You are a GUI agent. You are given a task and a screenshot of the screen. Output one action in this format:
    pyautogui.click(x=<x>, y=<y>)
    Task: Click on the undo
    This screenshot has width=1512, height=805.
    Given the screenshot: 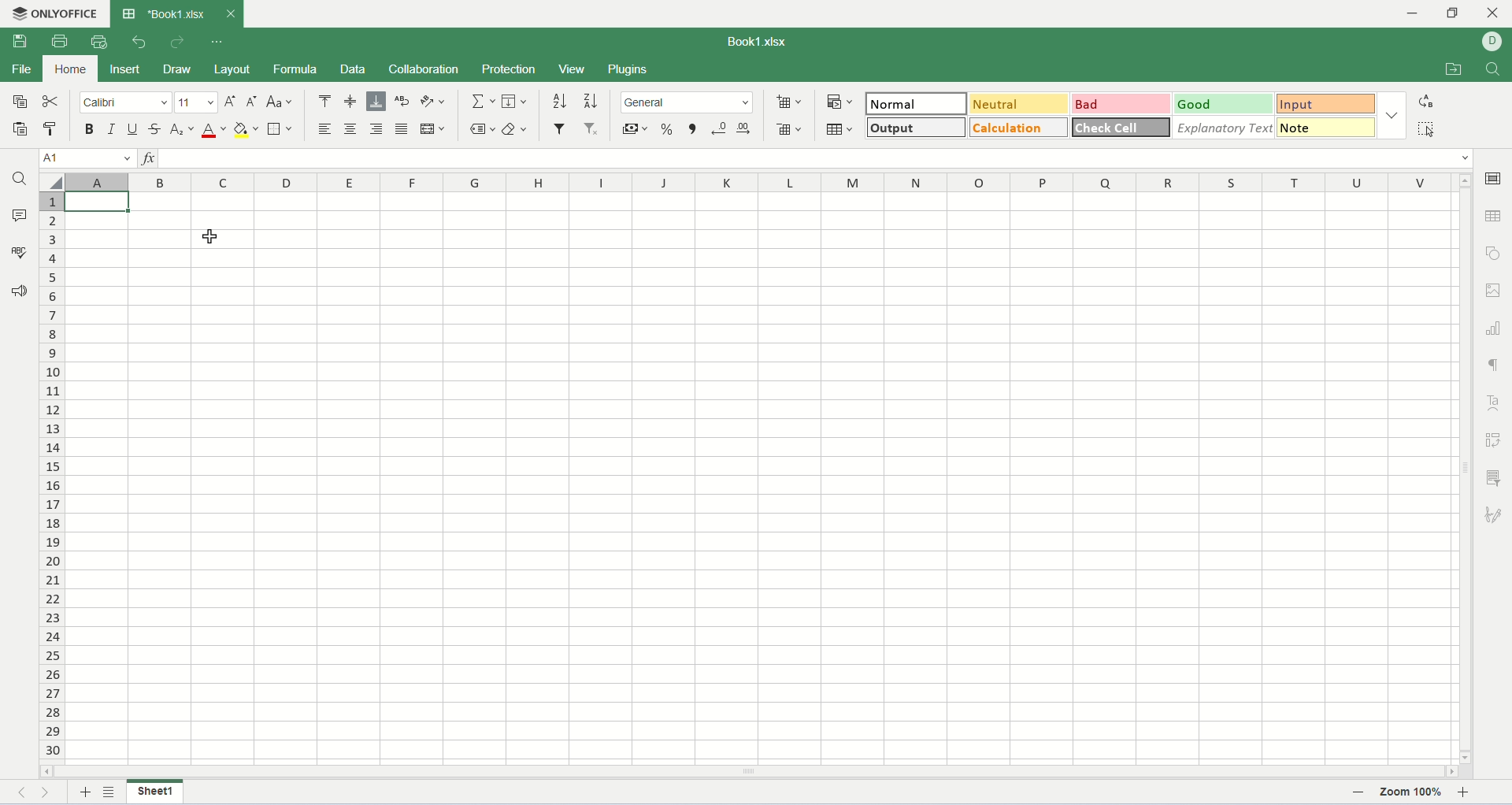 What is the action you would take?
    pyautogui.click(x=140, y=42)
    